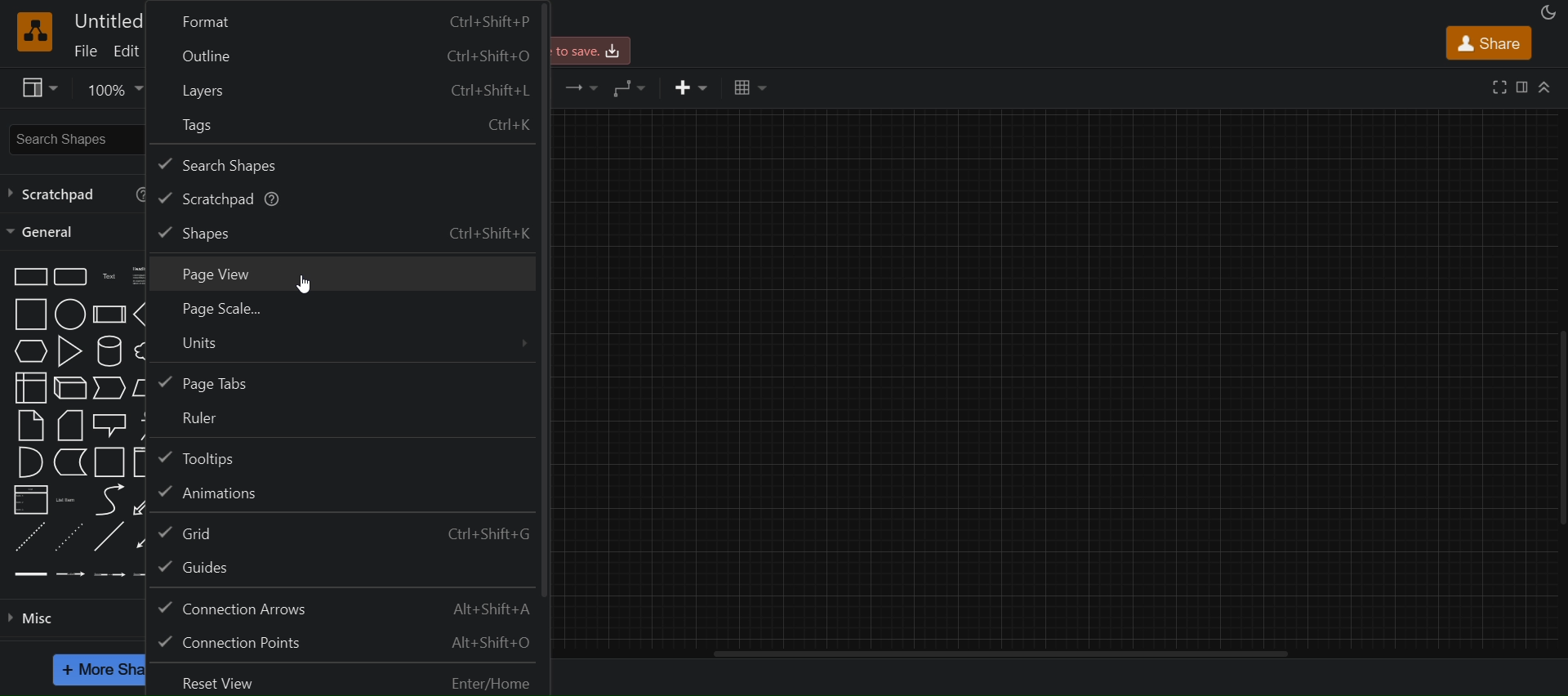 This screenshot has width=1568, height=696. What do you see at coordinates (633, 86) in the screenshot?
I see `waypoints` at bounding box center [633, 86].